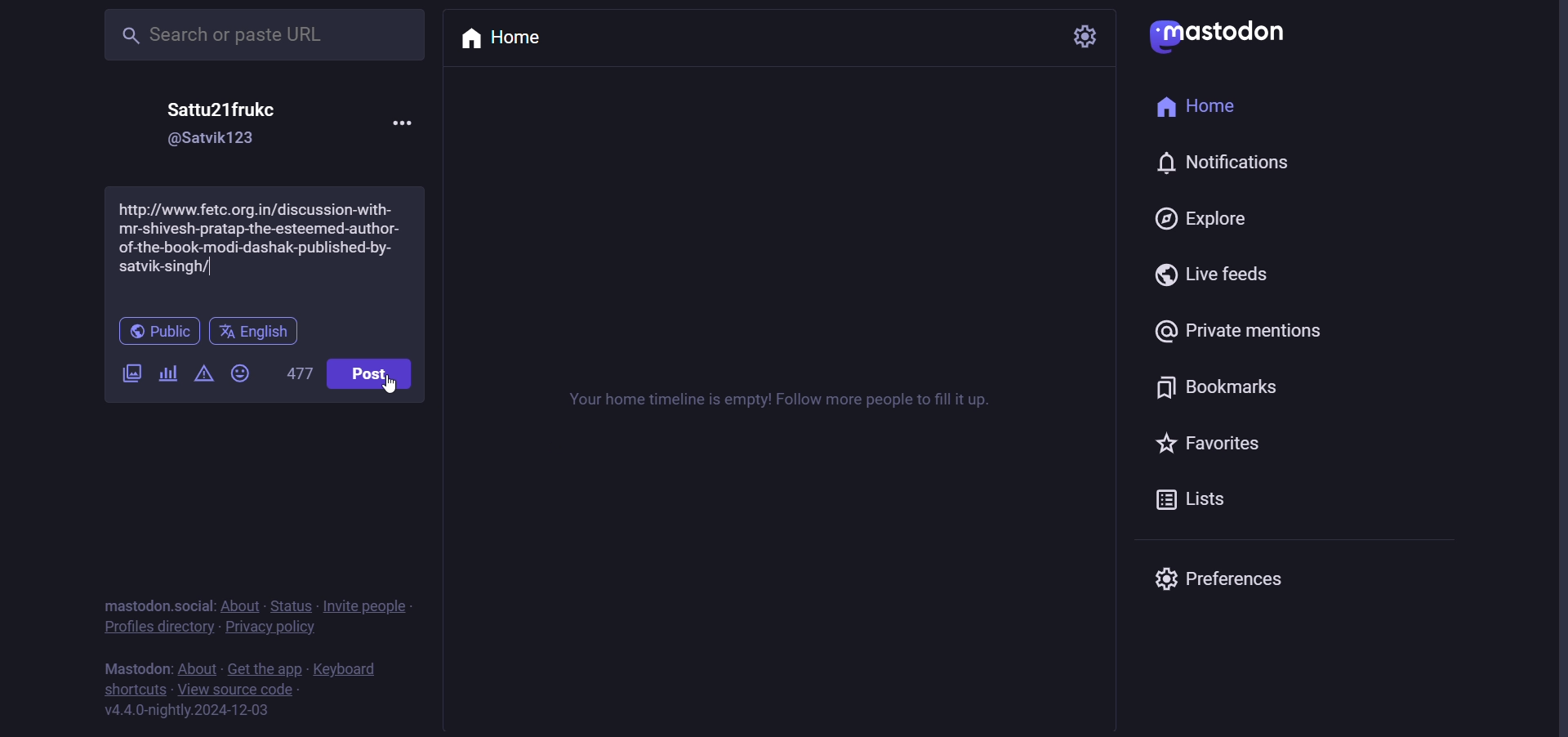 The width and height of the screenshot is (1568, 737). Describe the element at coordinates (1203, 217) in the screenshot. I see `explore` at that location.